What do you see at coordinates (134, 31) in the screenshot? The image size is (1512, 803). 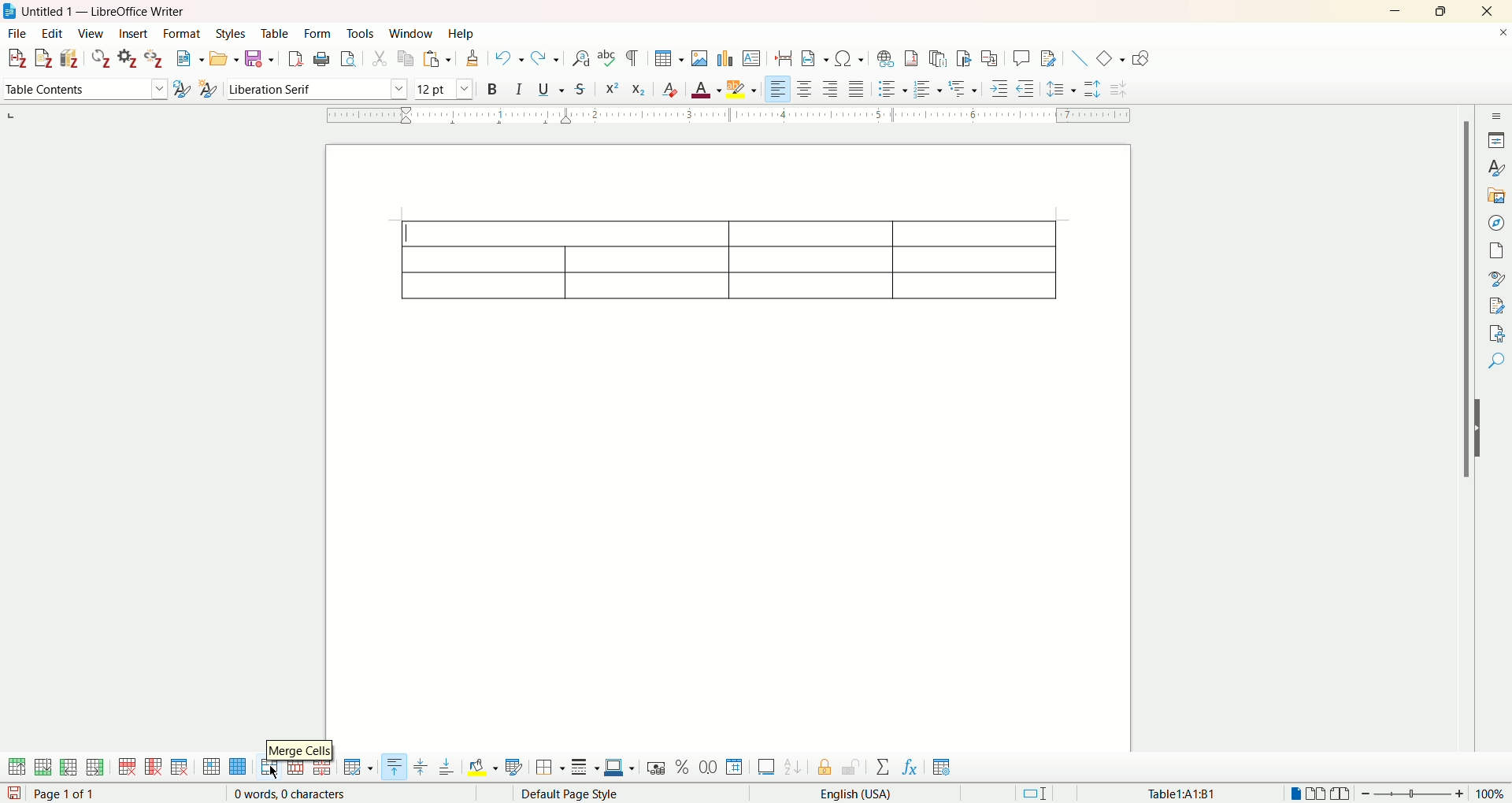 I see `insert` at bounding box center [134, 31].